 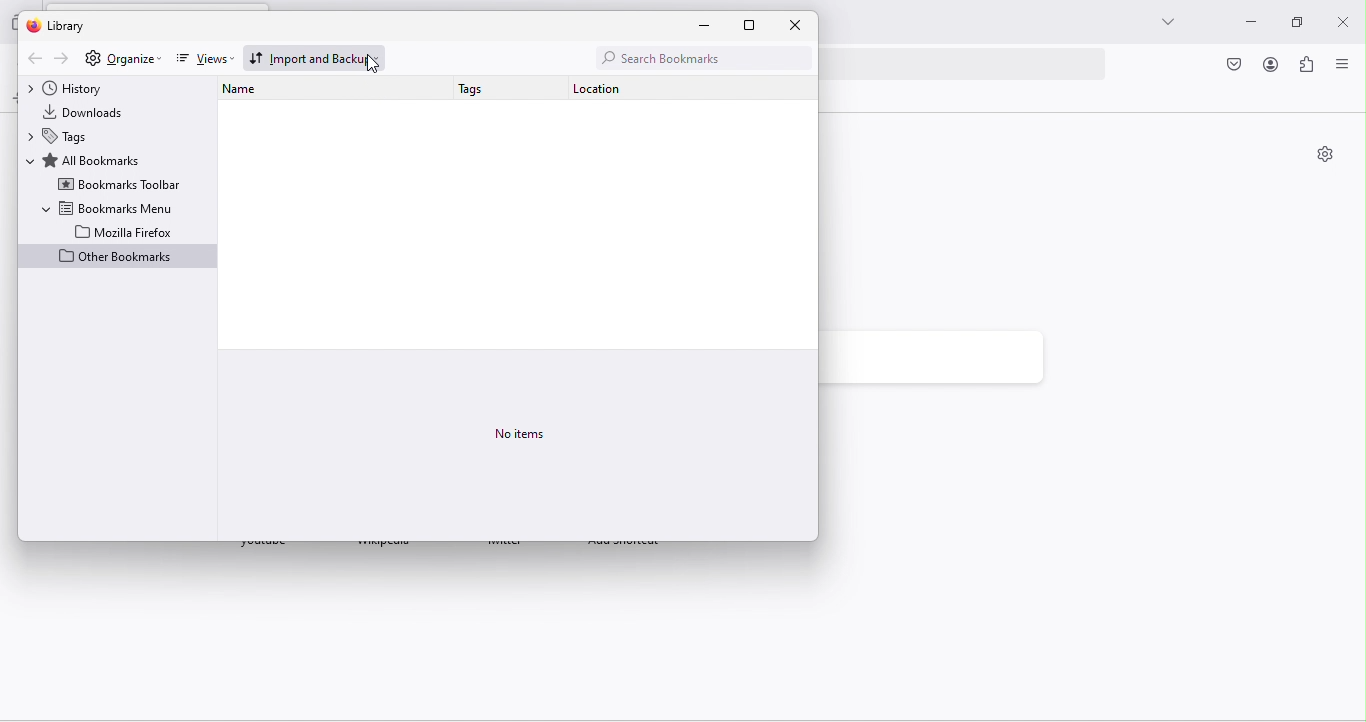 What do you see at coordinates (1325, 156) in the screenshot?
I see `settings` at bounding box center [1325, 156].